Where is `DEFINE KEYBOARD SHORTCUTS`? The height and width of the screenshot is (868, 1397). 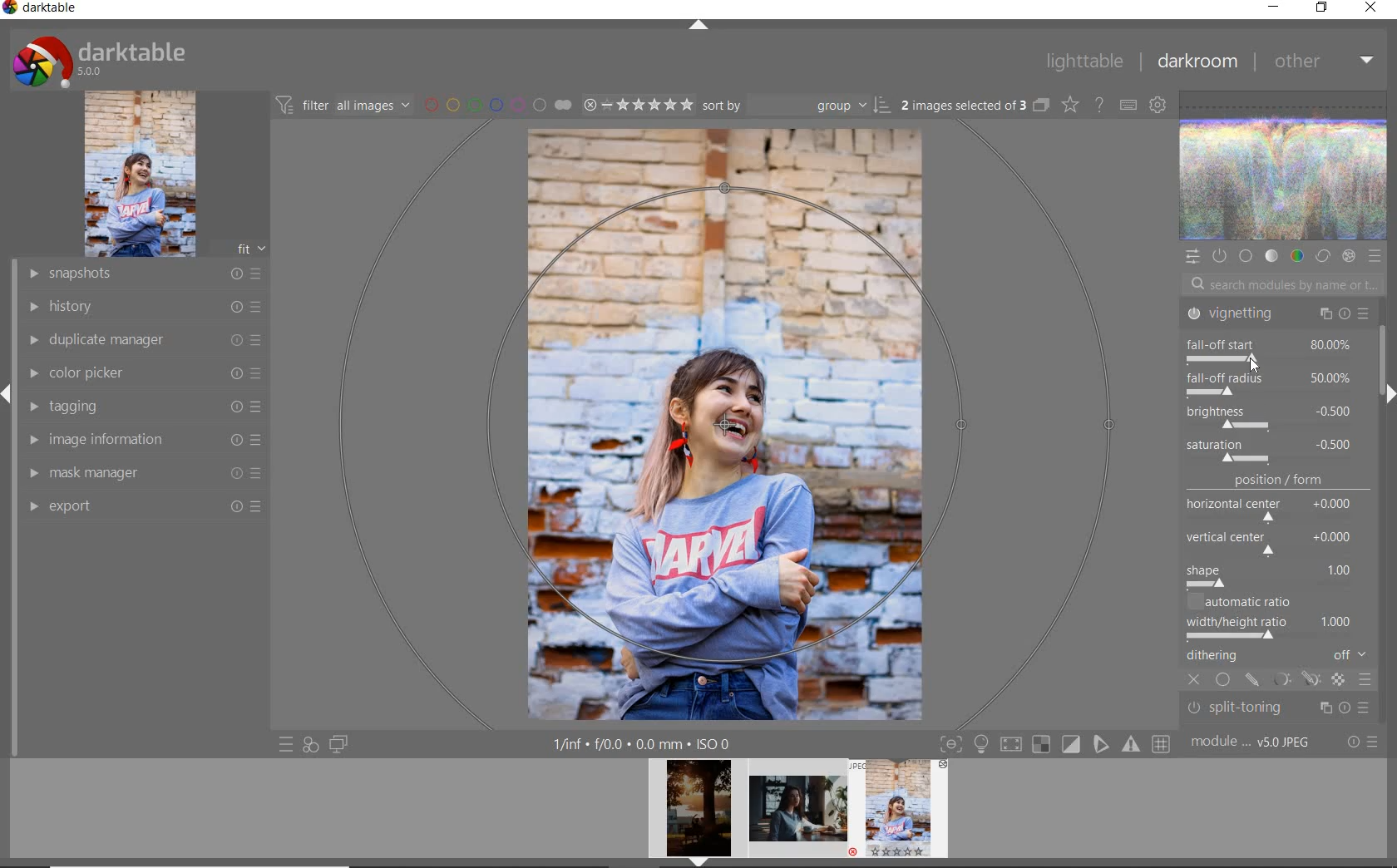 DEFINE KEYBOARD SHORTCUTS is located at coordinates (1128, 105).